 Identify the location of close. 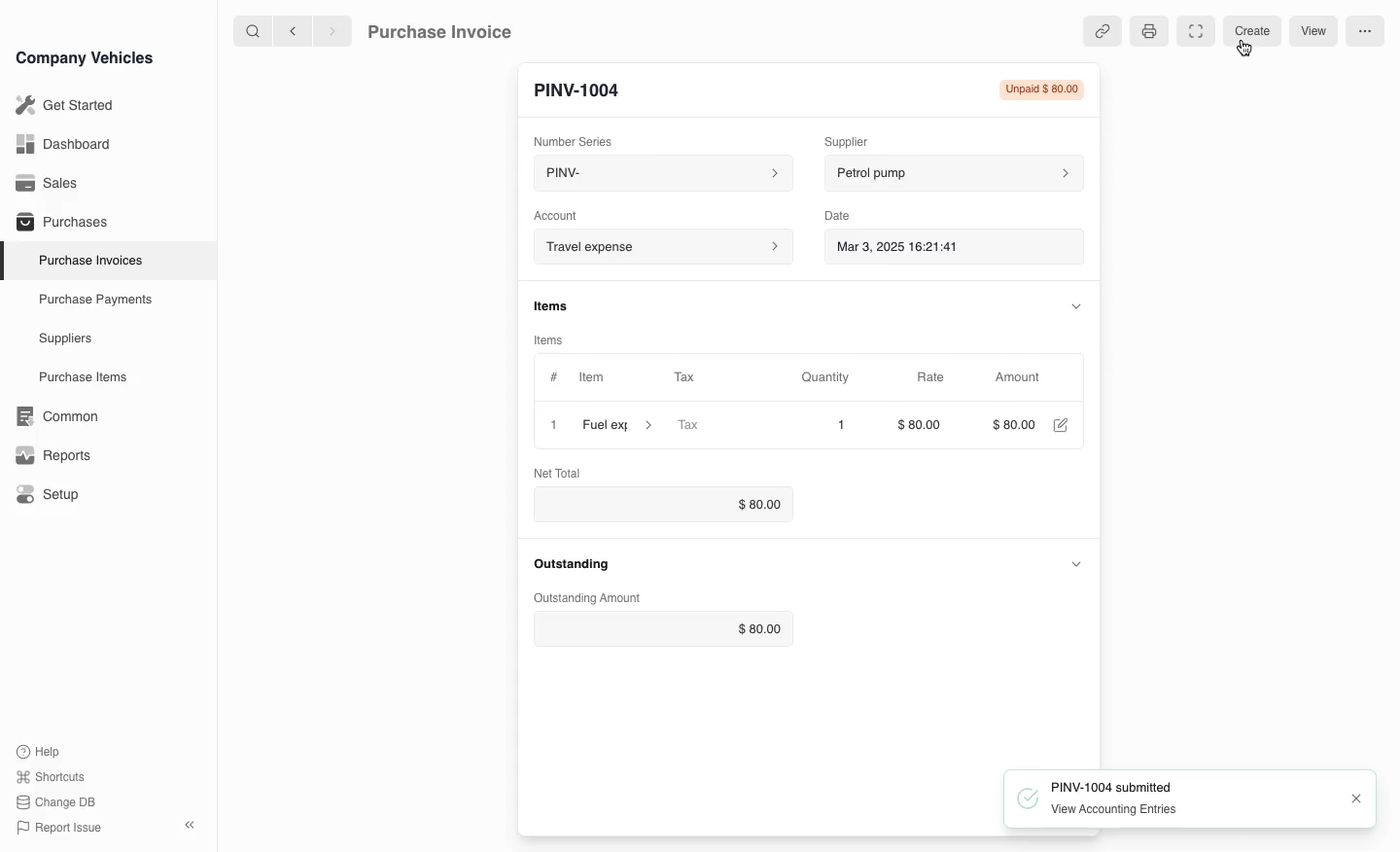
(553, 427).